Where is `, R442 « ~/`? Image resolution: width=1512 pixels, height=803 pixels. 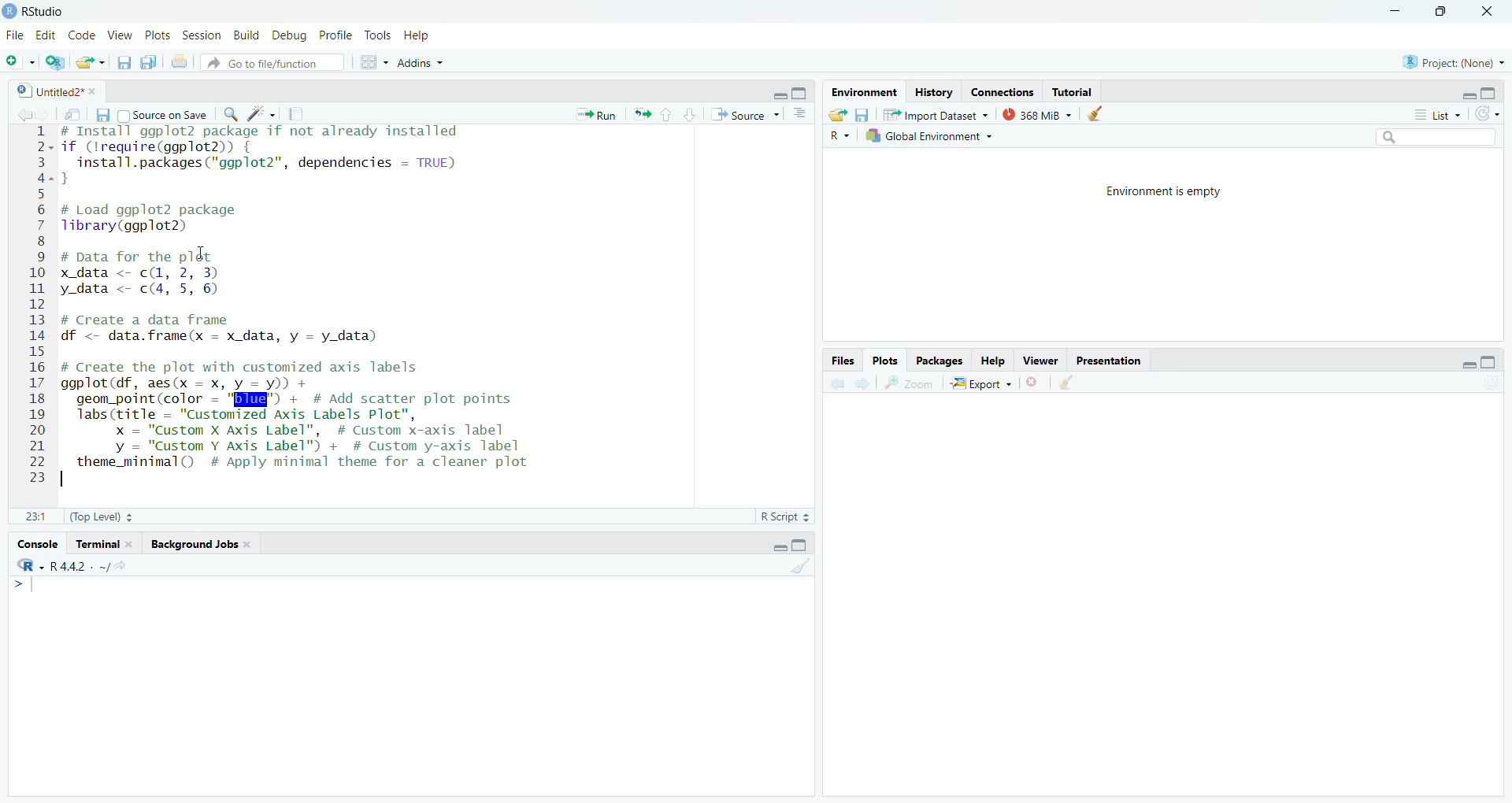
, R442 « ~/ is located at coordinates (71, 564).